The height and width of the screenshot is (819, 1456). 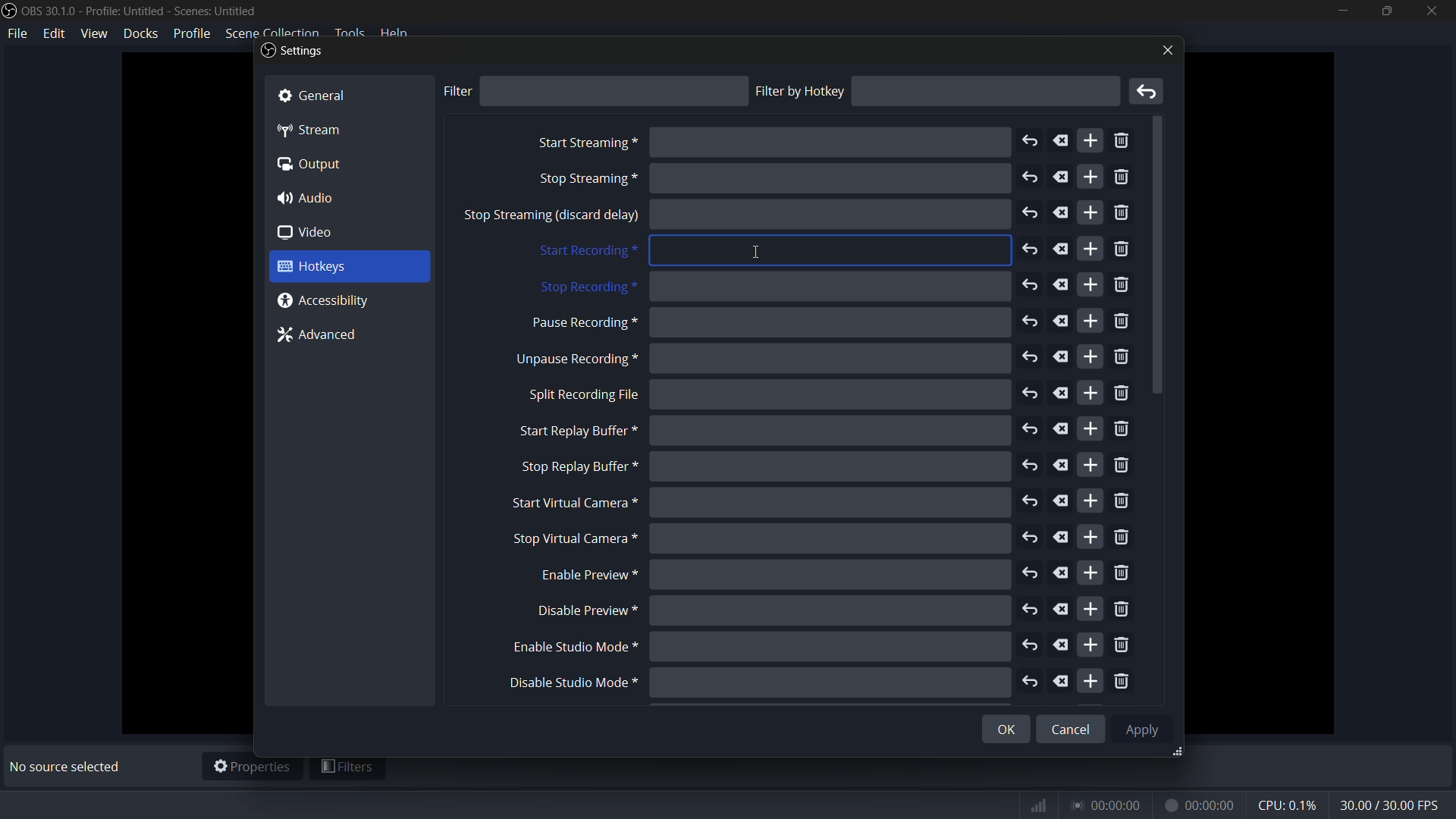 What do you see at coordinates (994, 731) in the screenshot?
I see `OK` at bounding box center [994, 731].